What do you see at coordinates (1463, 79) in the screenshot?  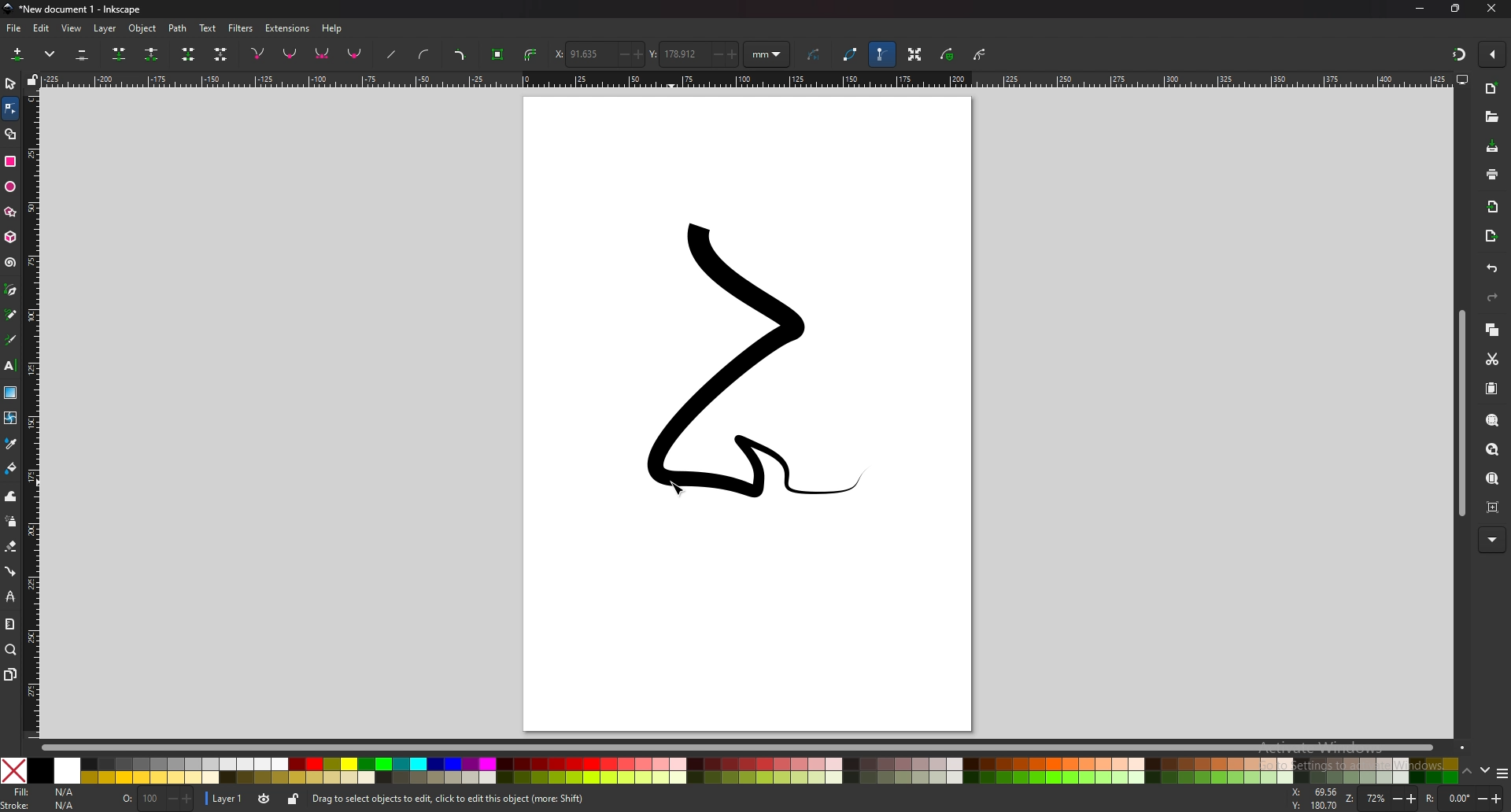 I see `display view` at bounding box center [1463, 79].